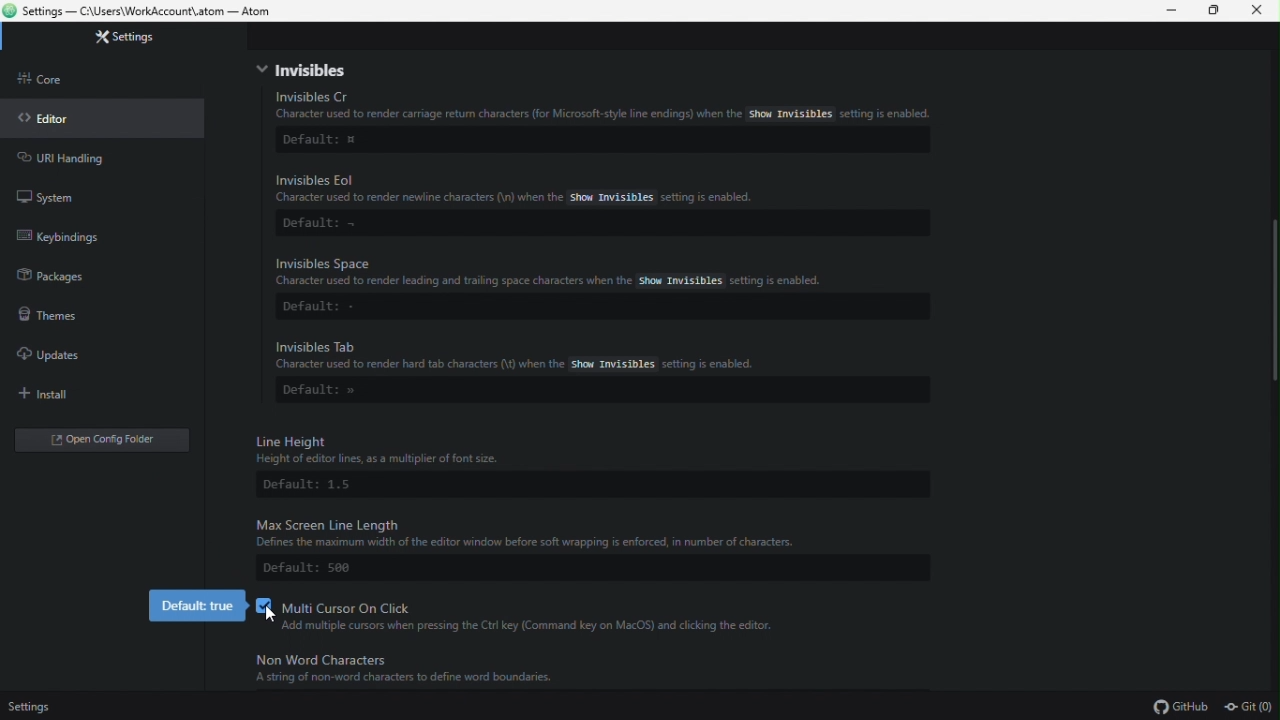 This screenshot has height=720, width=1280. Describe the element at coordinates (528, 191) in the screenshot. I see `Invisibles Eol(Character used to render newline characters (\n) when the ‘Show invisibles setting is enabled.` at that location.